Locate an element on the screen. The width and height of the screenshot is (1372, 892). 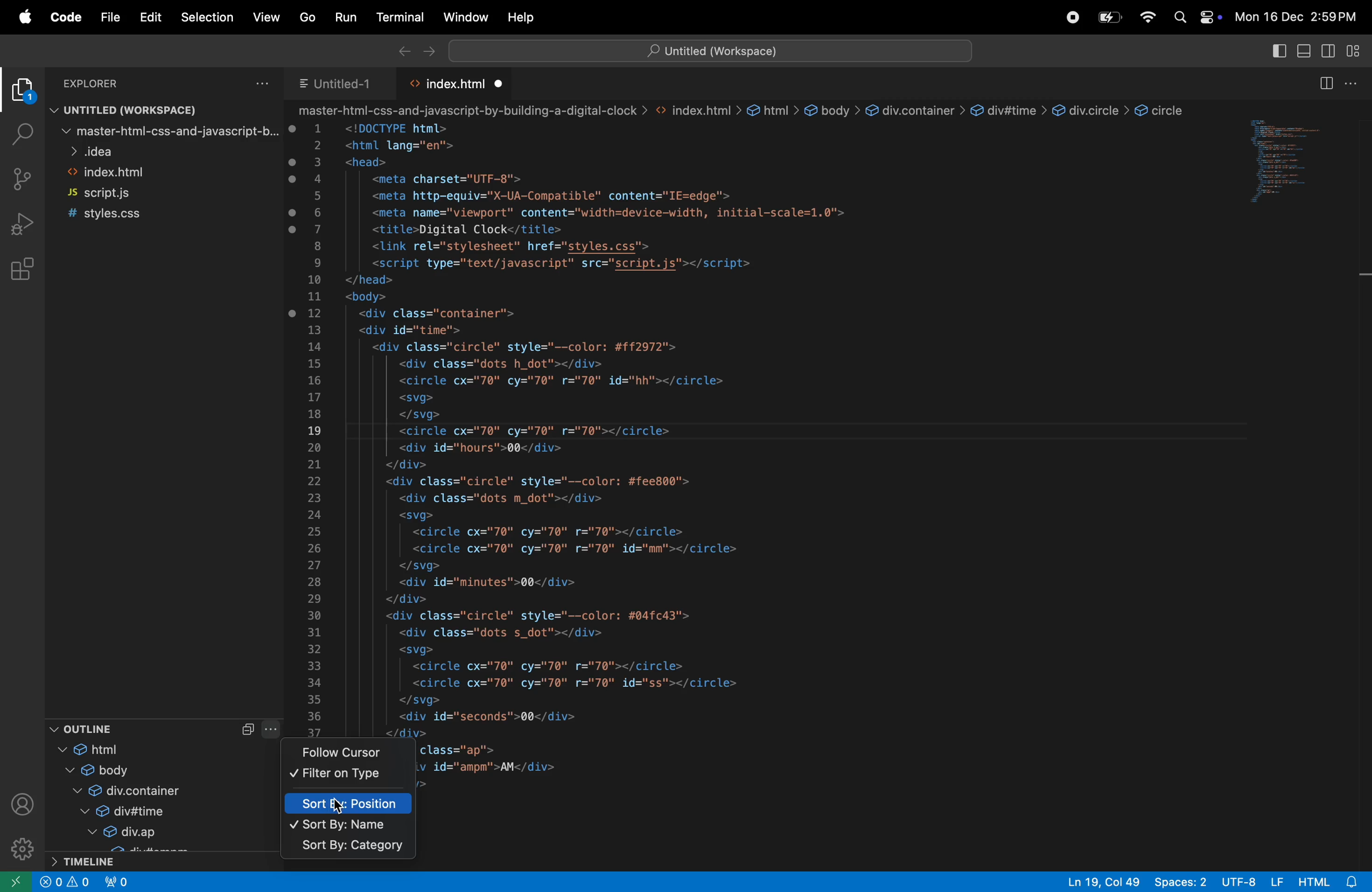
open remote window is located at coordinates (14, 883).